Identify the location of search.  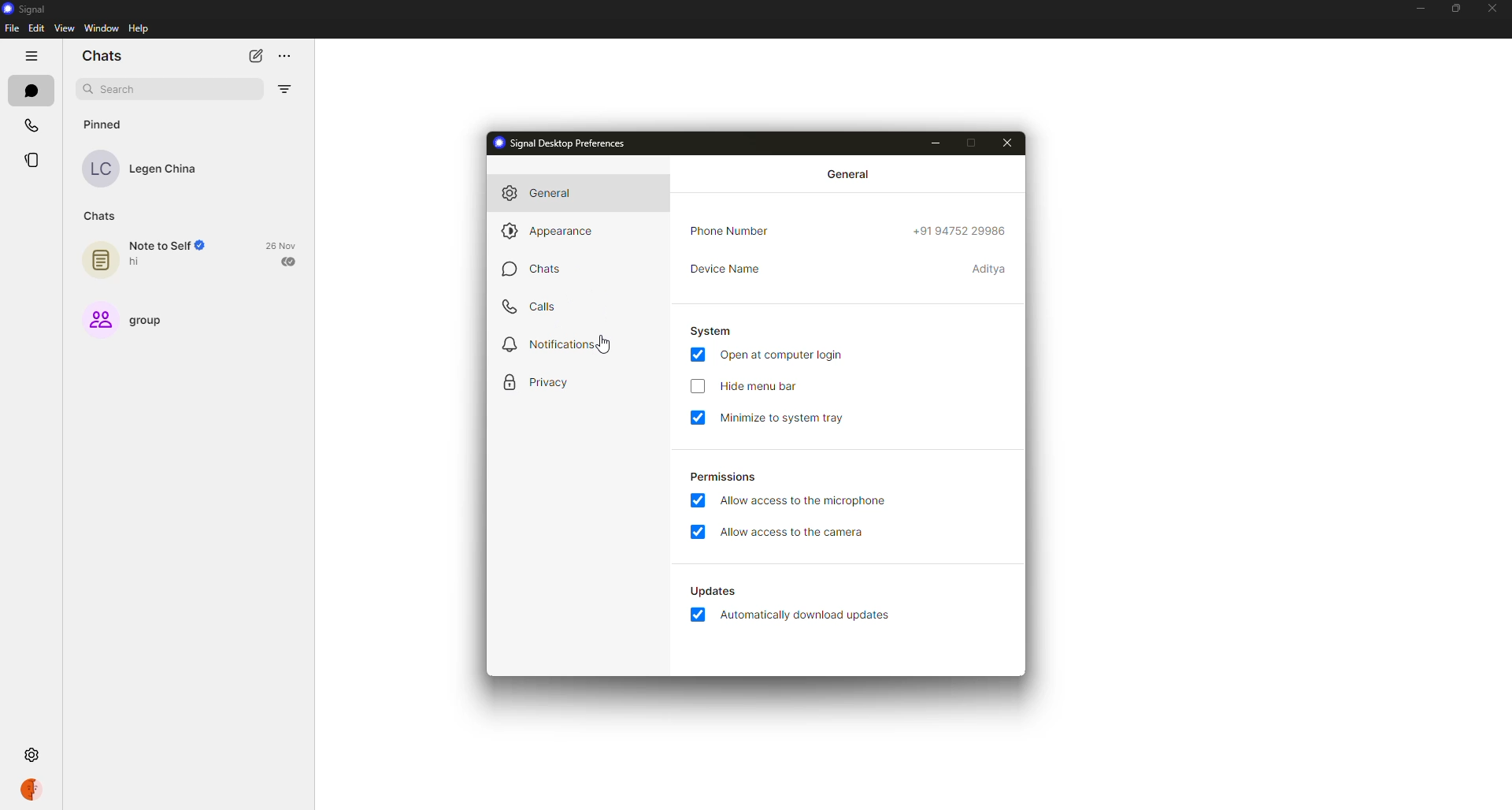
(123, 88).